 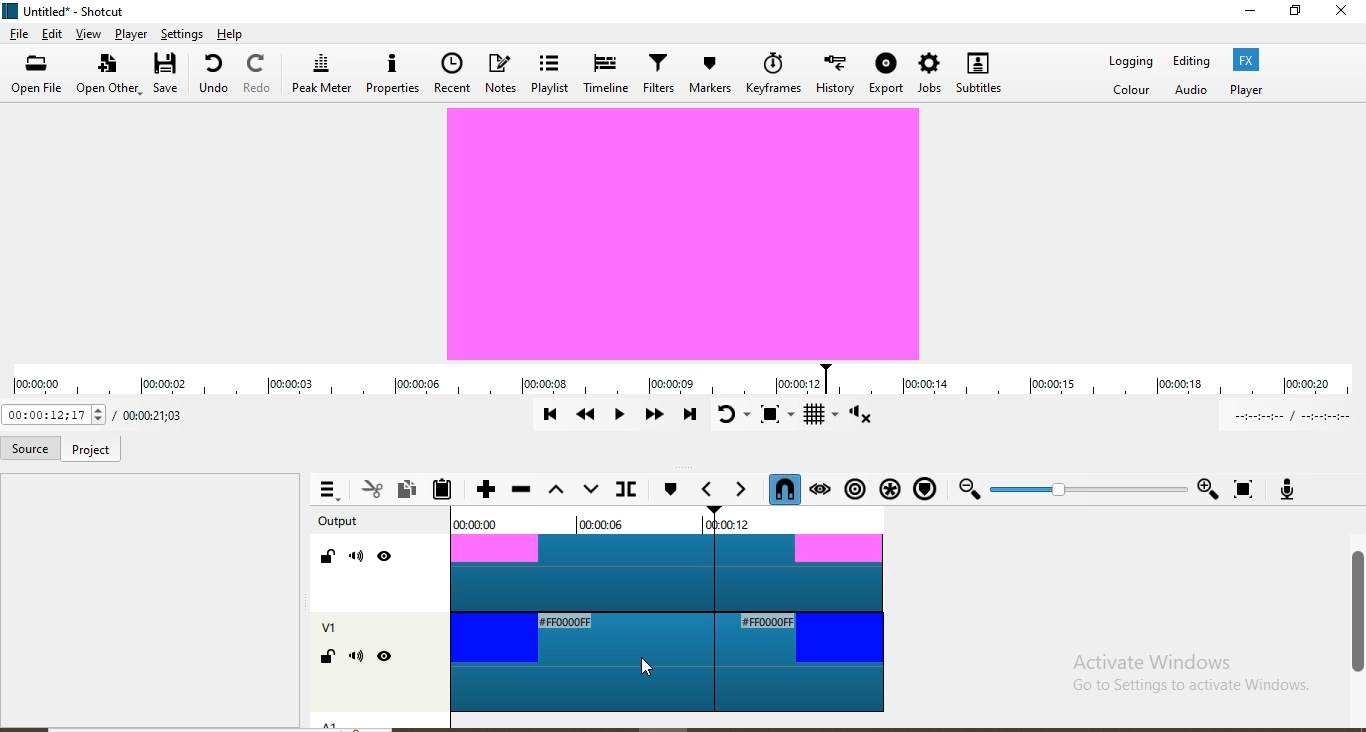 What do you see at coordinates (712, 76) in the screenshot?
I see `Markers` at bounding box center [712, 76].